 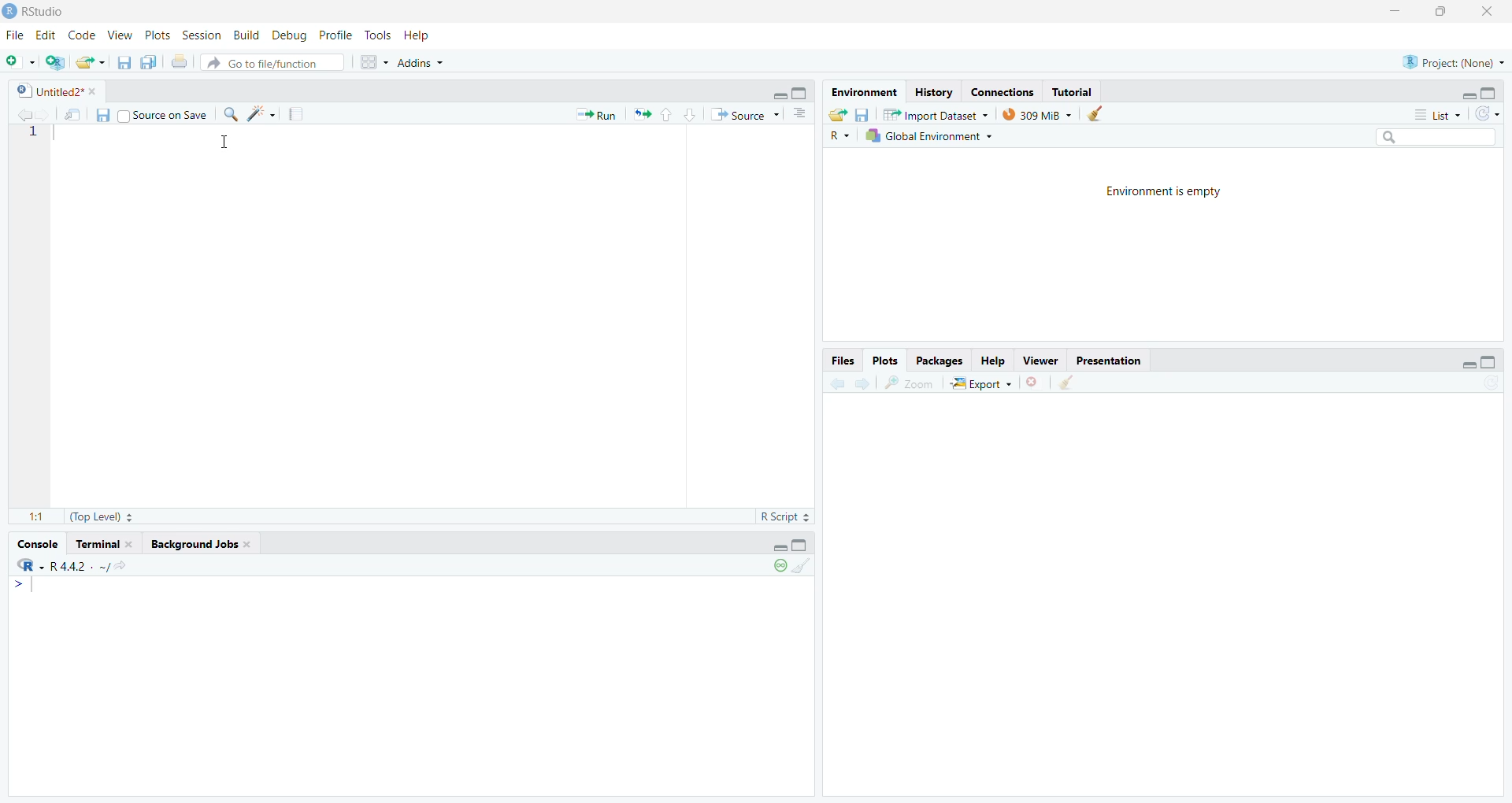 What do you see at coordinates (834, 386) in the screenshot?
I see `back` at bounding box center [834, 386].